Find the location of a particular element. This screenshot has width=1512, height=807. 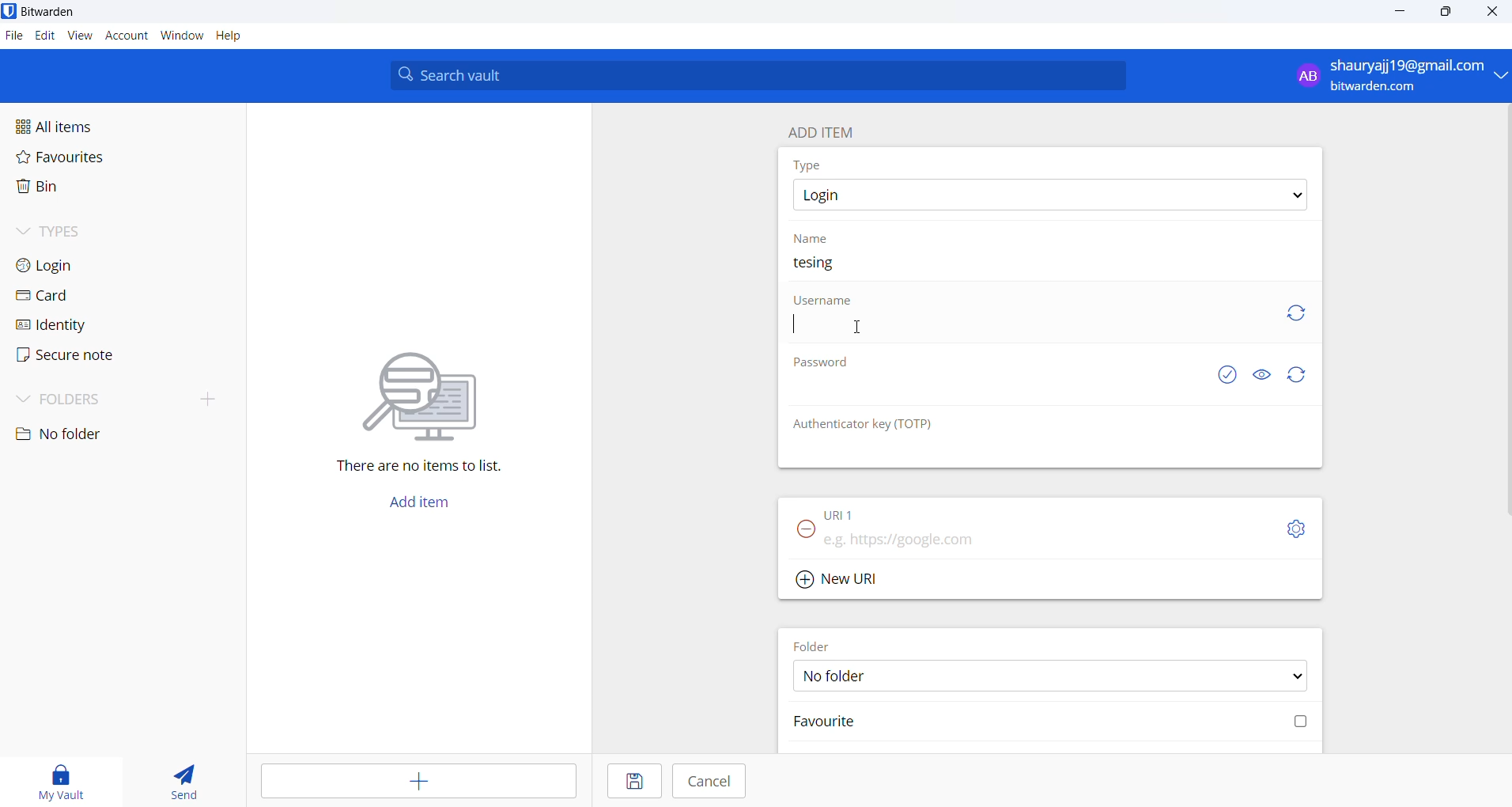

Folder is located at coordinates (818, 643).